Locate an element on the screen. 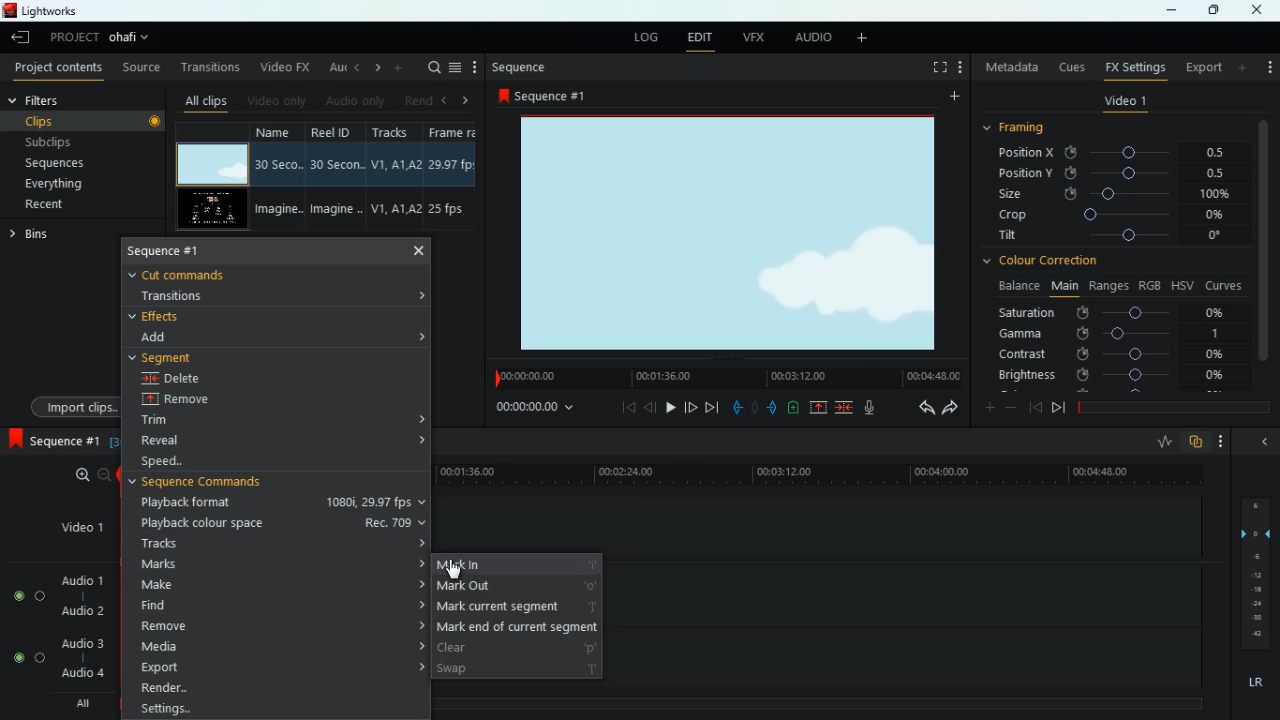  au is located at coordinates (331, 67).